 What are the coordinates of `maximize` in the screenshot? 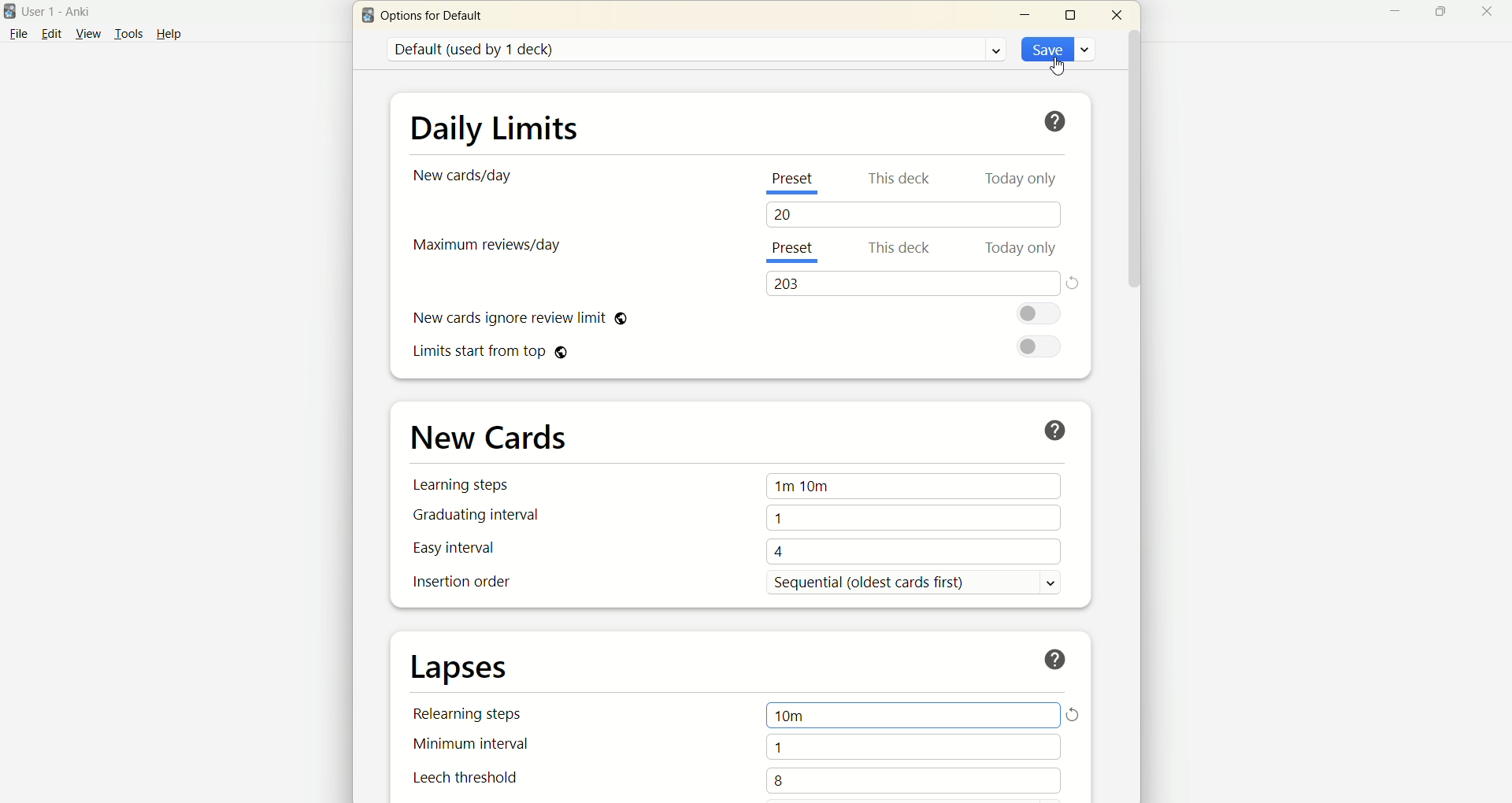 It's located at (1434, 11).